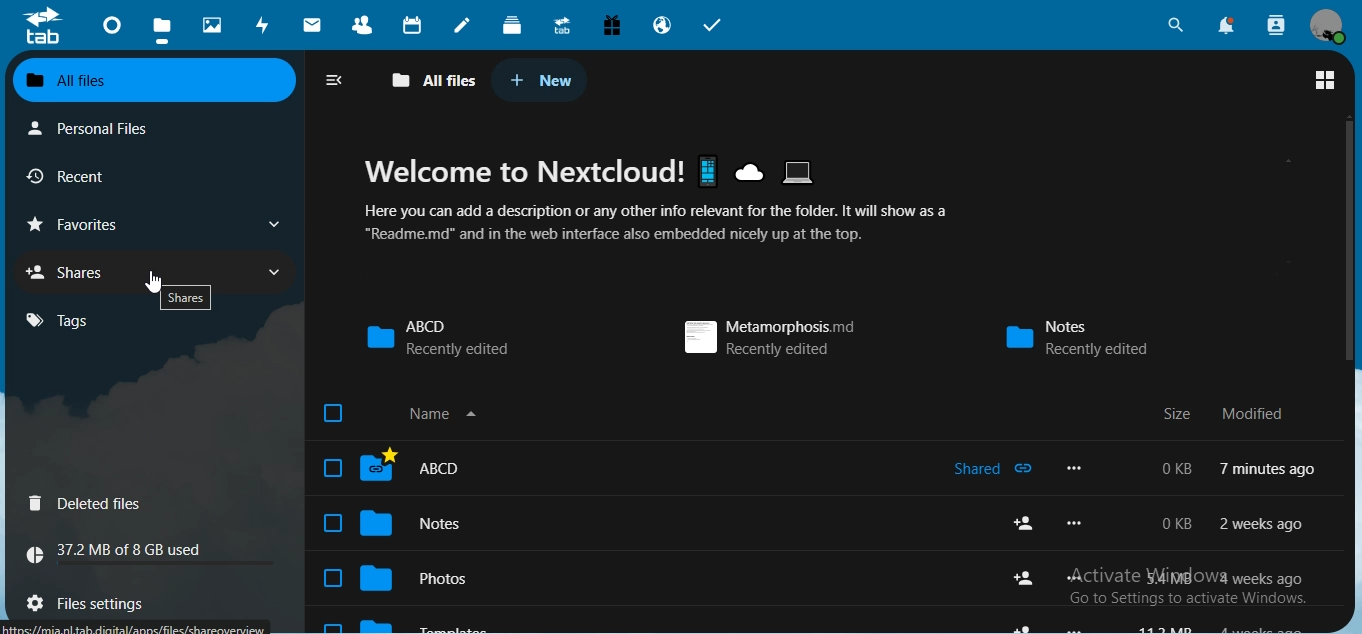 The width and height of the screenshot is (1362, 634). Describe the element at coordinates (1024, 523) in the screenshot. I see `share` at that location.